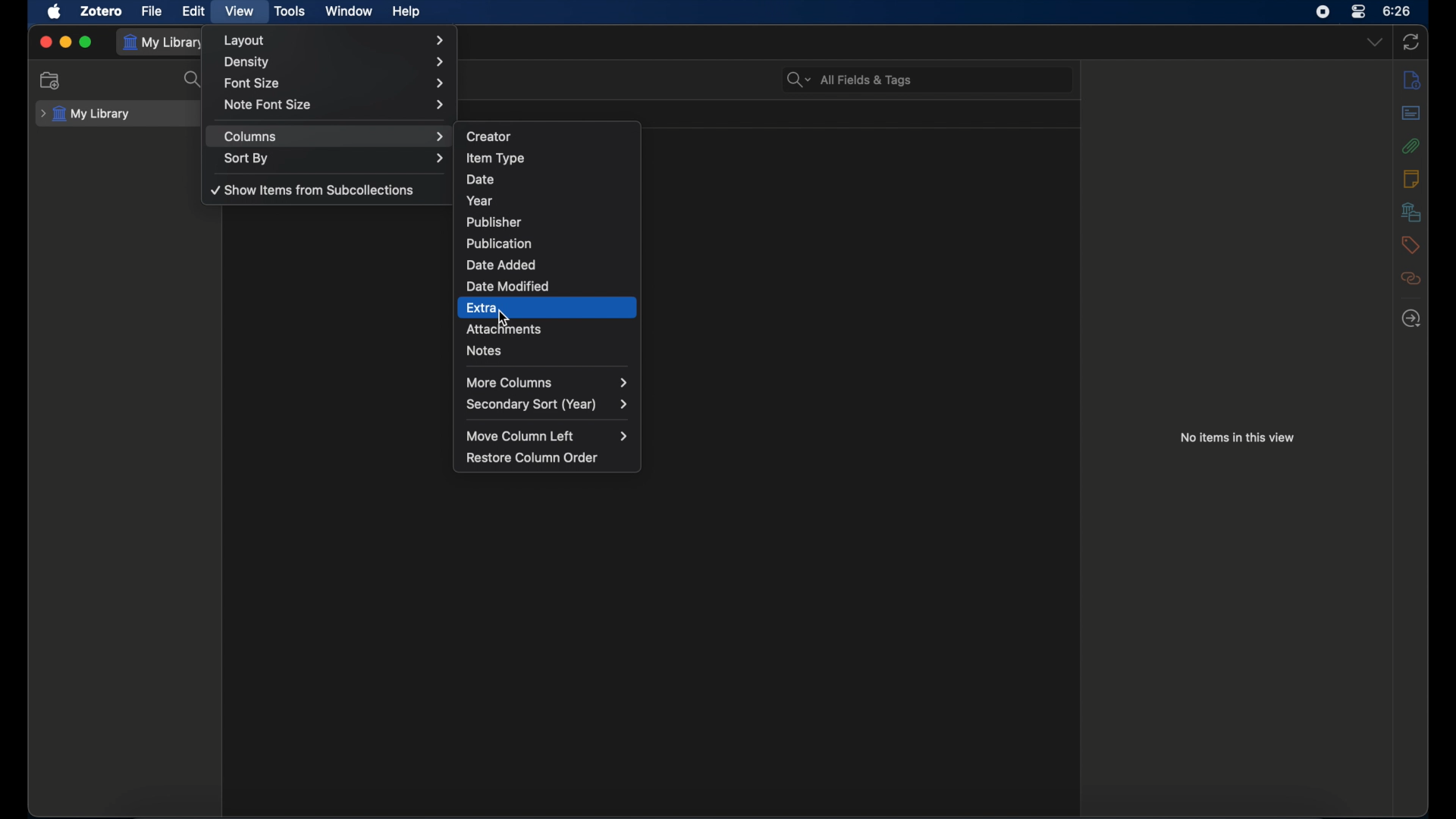 Image resolution: width=1456 pixels, height=819 pixels. Describe the element at coordinates (240, 11) in the screenshot. I see `view` at that location.